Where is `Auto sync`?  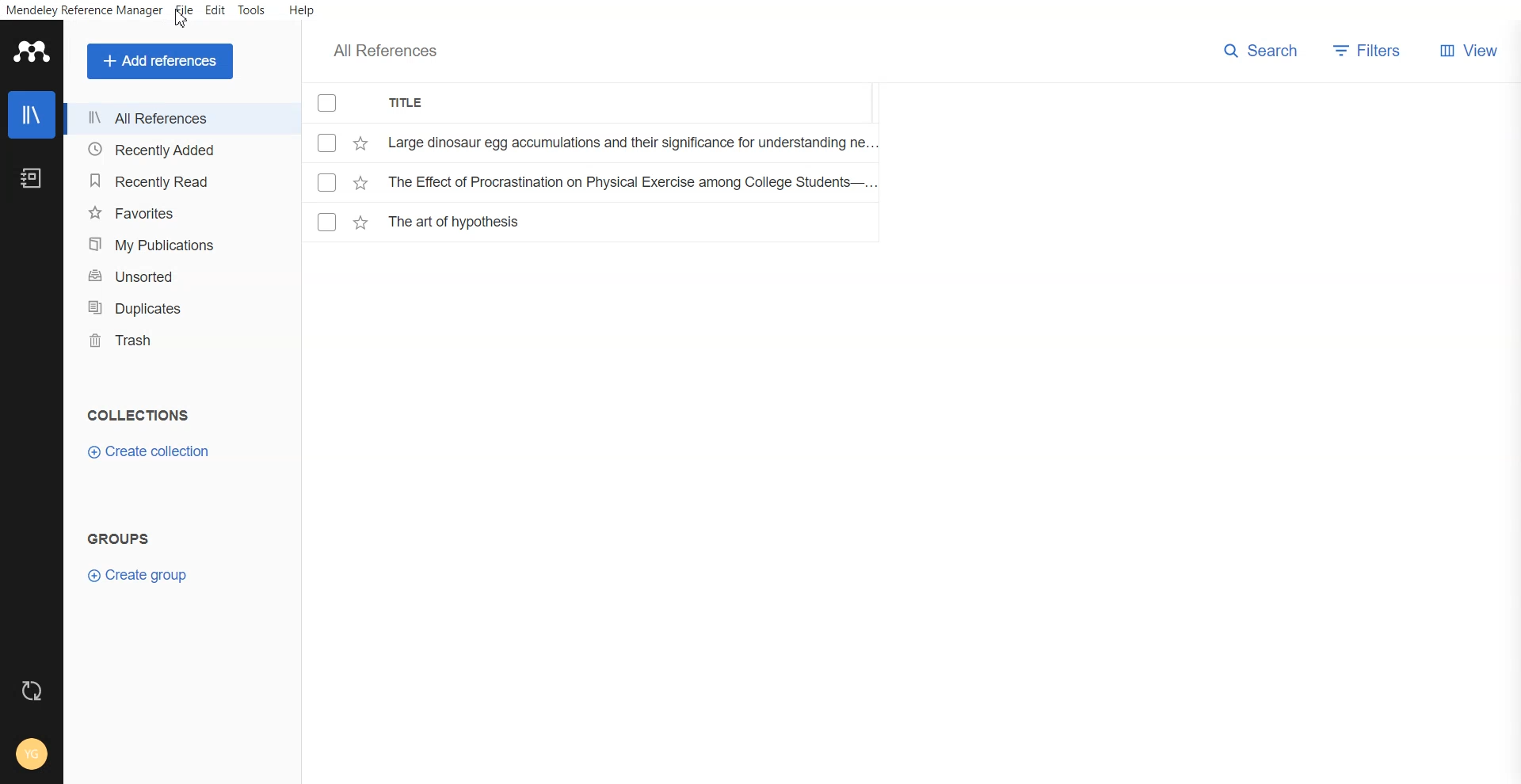 Auto sync is located at coordinates (32, 691).